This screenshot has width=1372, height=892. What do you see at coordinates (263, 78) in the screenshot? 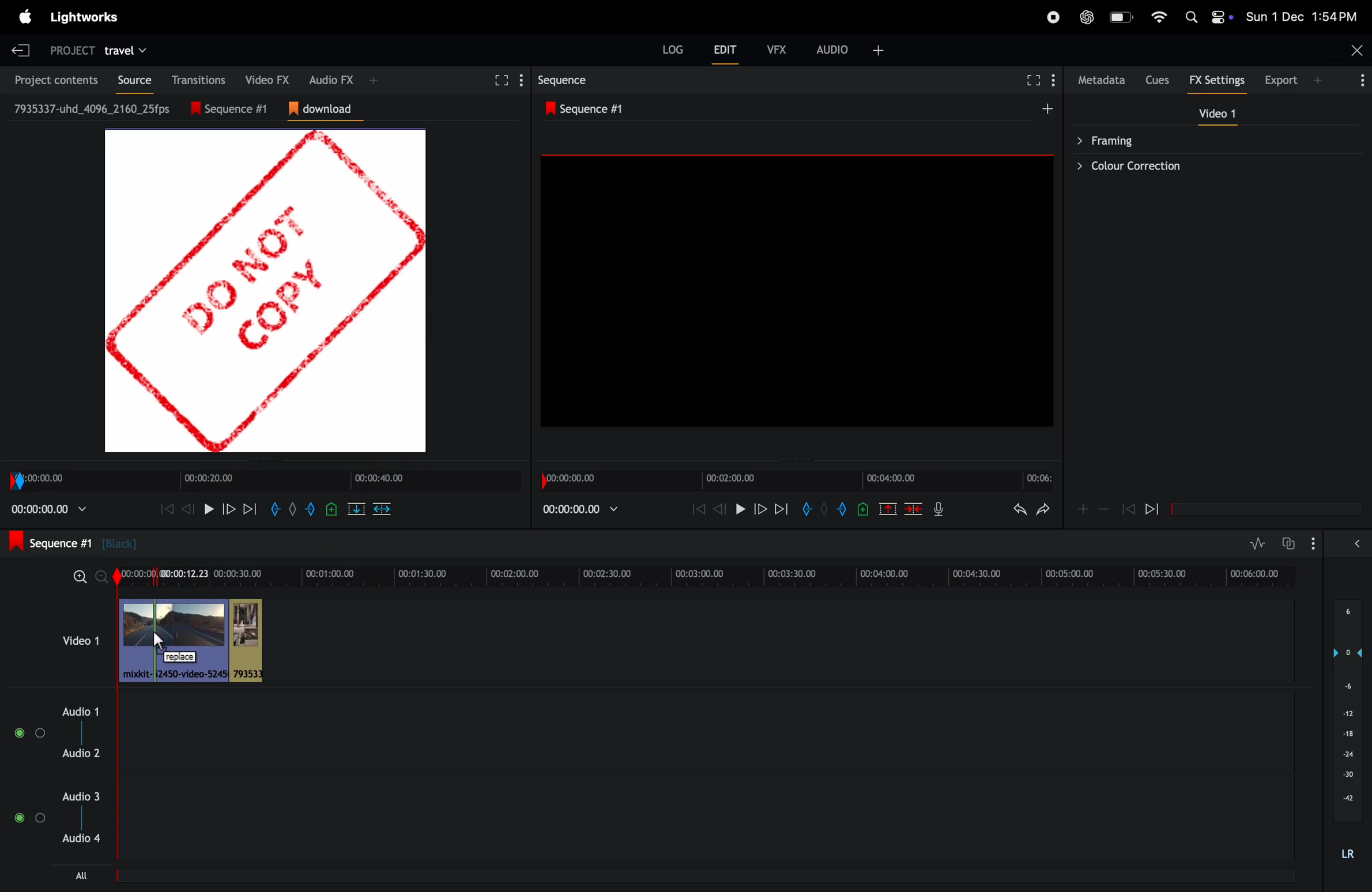
I see `video fx` at bounding box center [263, 78].